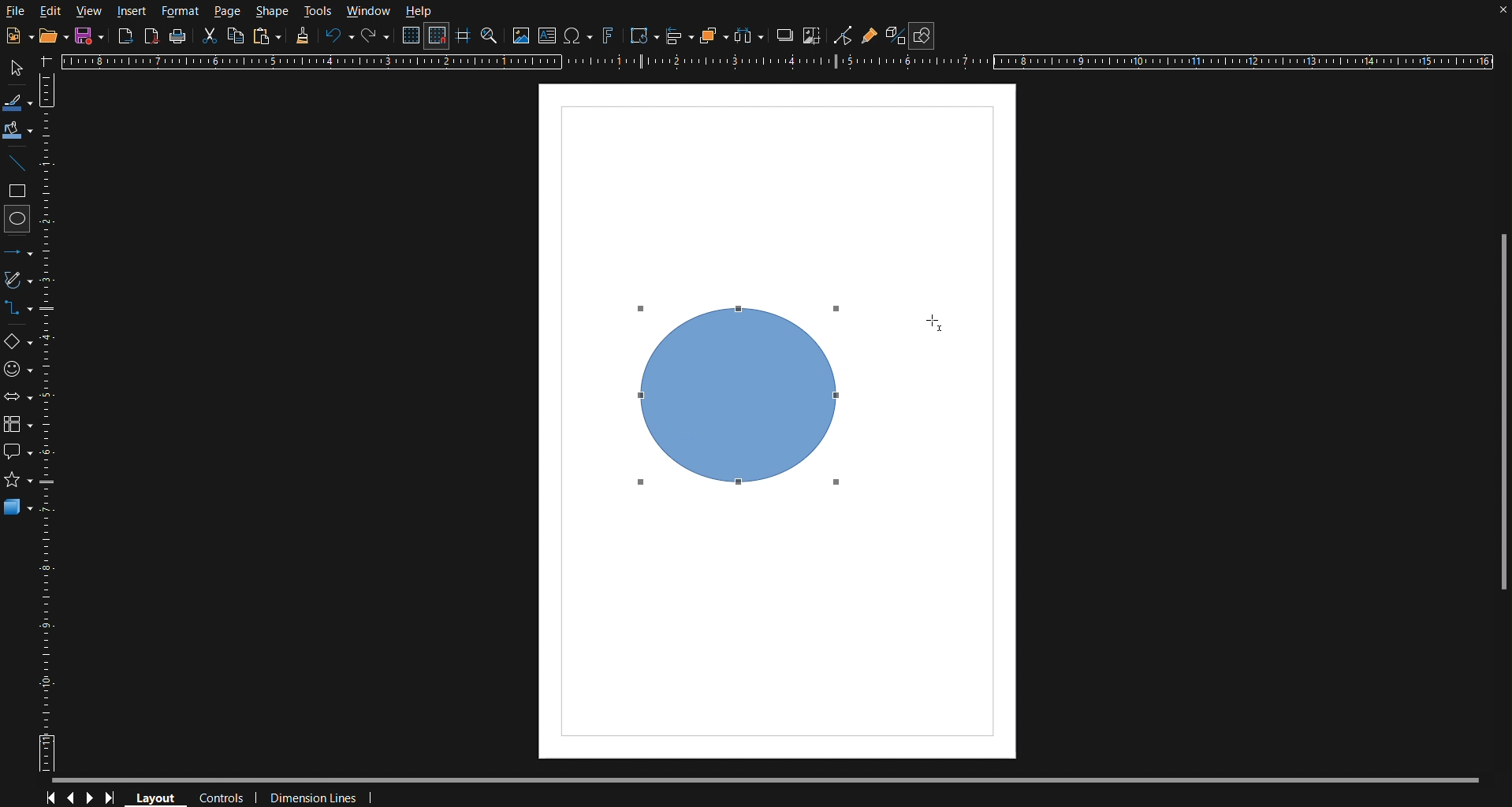 The image size is (1512, 807). Describe the element at coordinates (339, 39) in the screenshot. I see `Undo` at that location.